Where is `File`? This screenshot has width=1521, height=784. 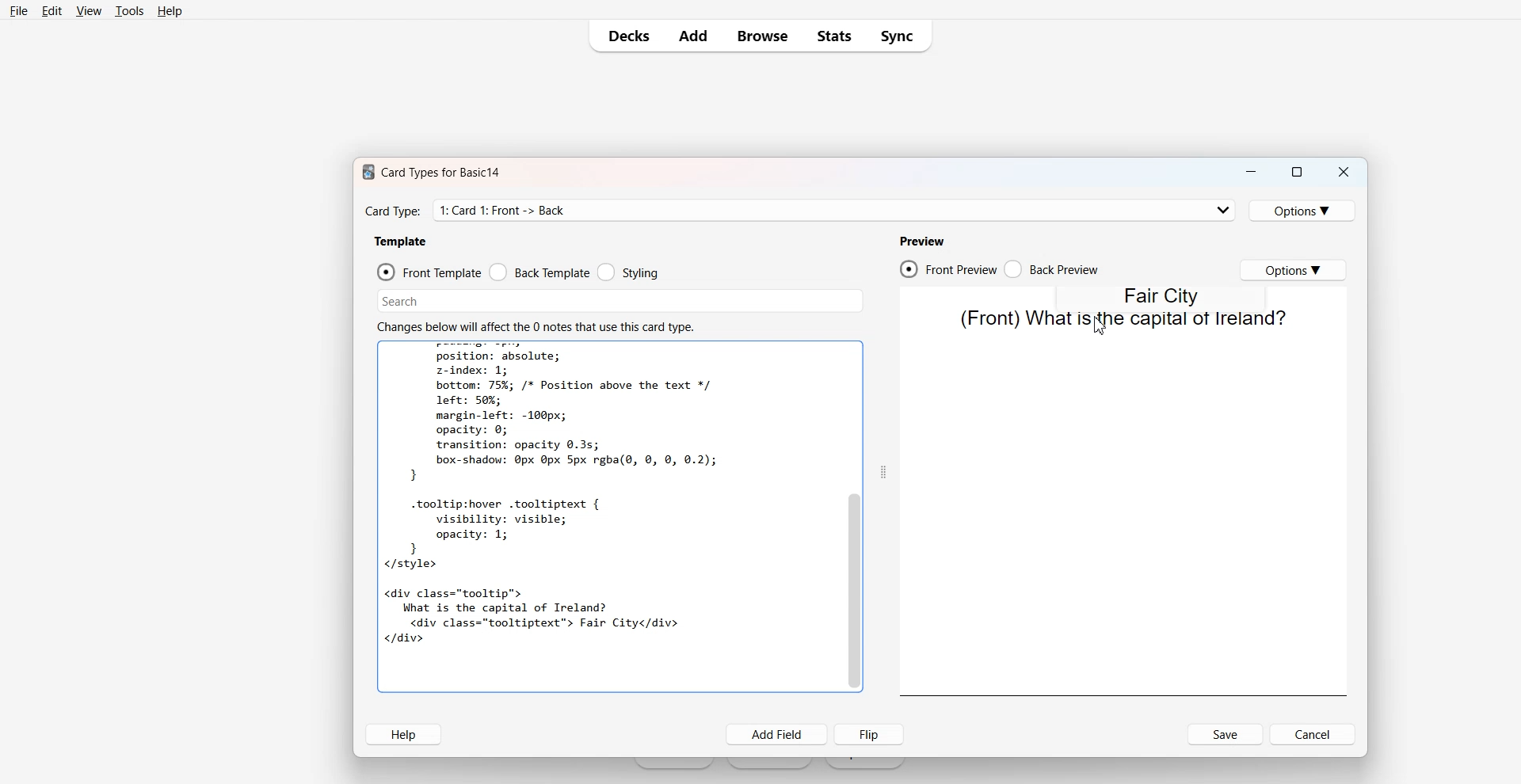
File is located at coordinates (20, 11).